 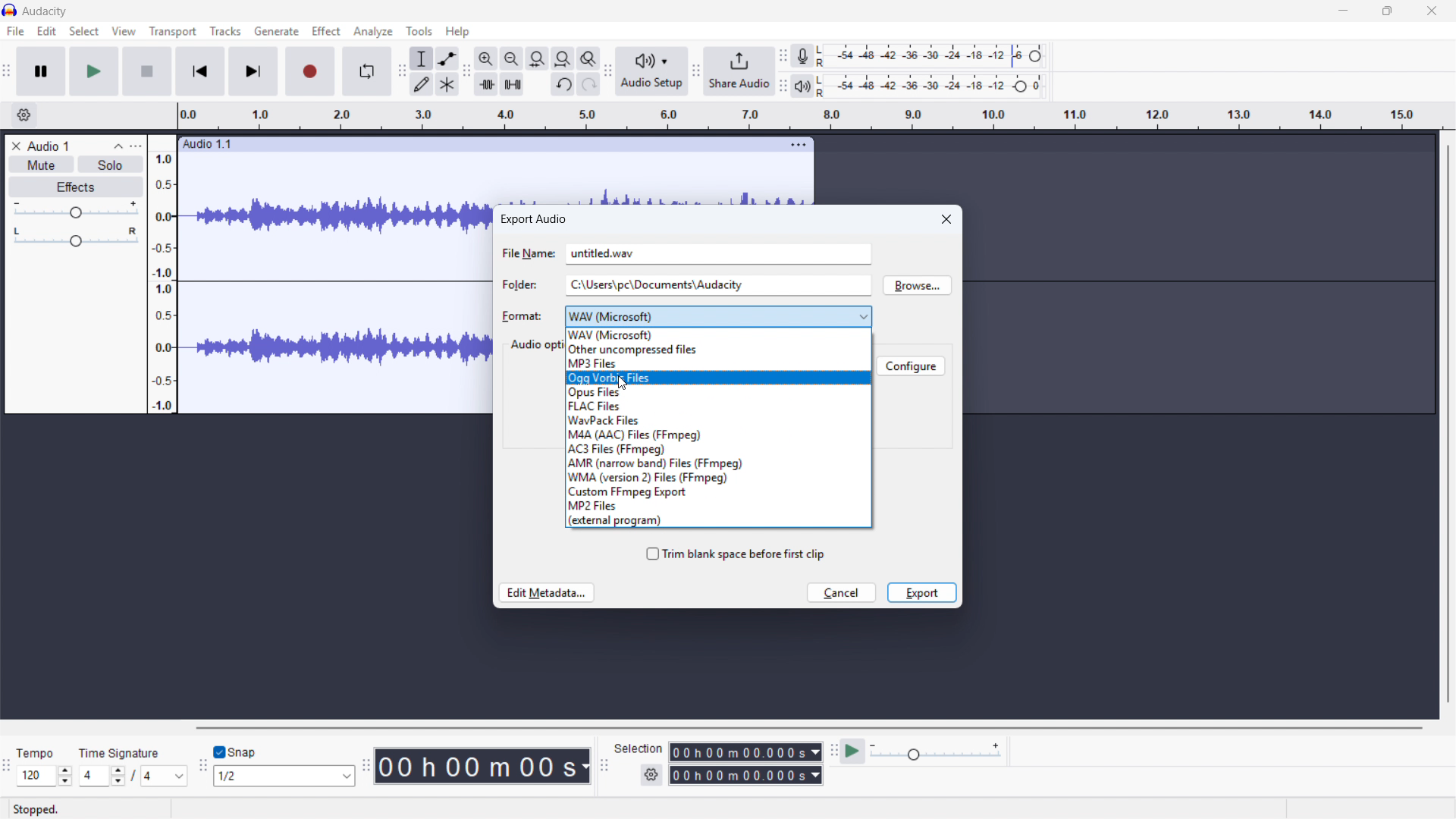 What do you see at coordinates (936, 55) in the screenshot?
I see `Recording level ` at bounding box center [936, 55].